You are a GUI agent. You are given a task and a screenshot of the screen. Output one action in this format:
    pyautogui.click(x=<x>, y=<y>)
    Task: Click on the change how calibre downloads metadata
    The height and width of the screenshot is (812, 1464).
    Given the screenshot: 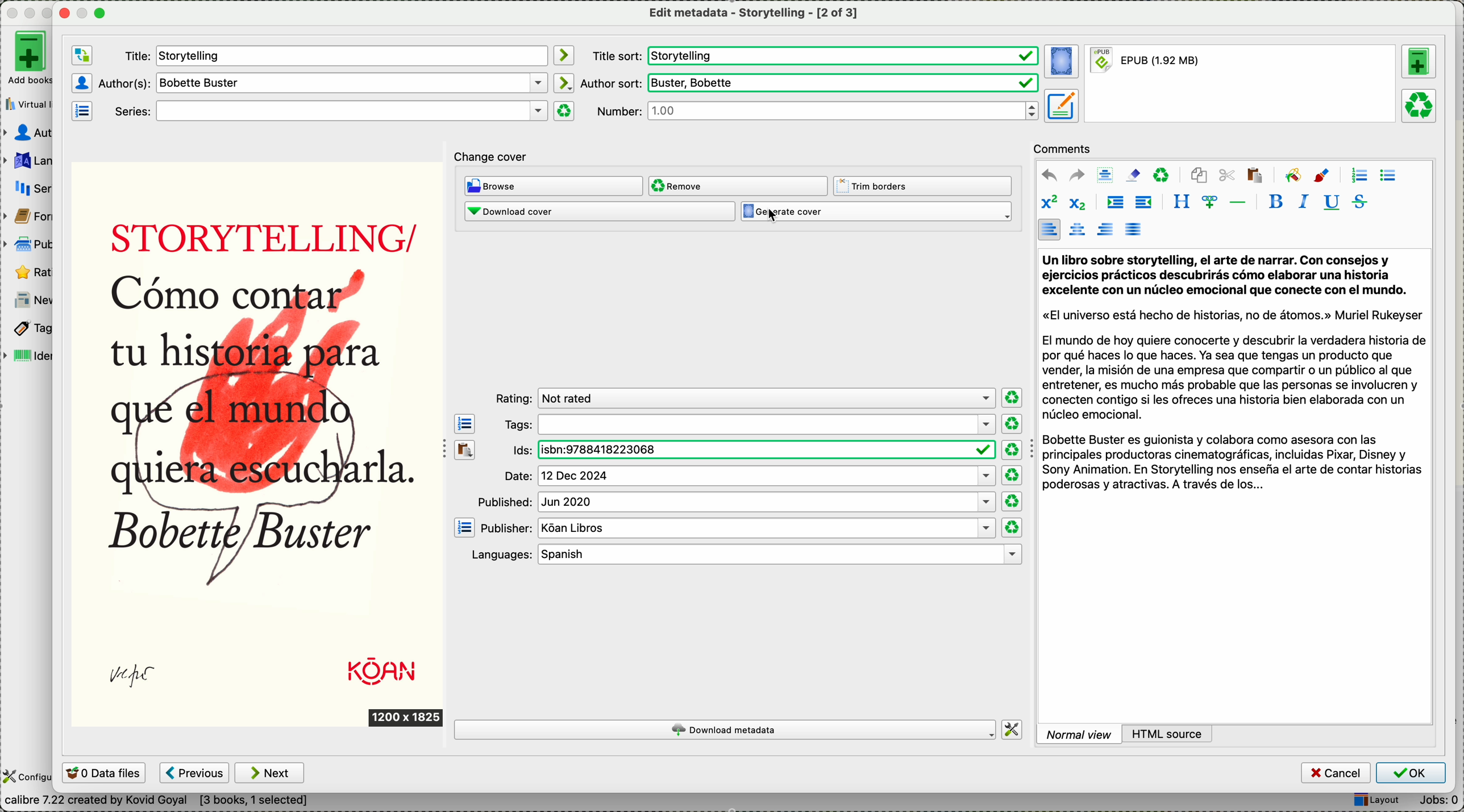 What is the action you would take?
    pyautogui.click(x=1013, y=729)
    